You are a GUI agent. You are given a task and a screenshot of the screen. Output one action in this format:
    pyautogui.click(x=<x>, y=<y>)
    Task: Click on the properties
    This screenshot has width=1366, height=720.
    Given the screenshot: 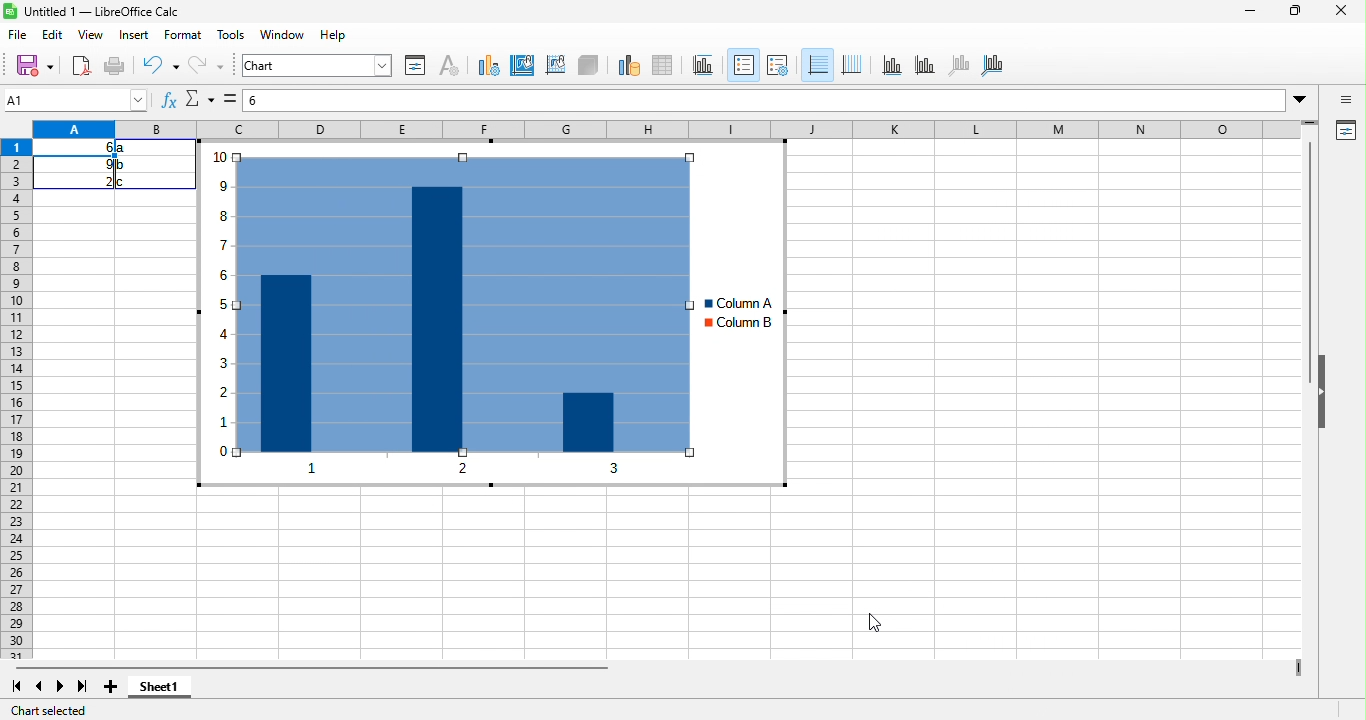 What is the action you would take?
    pyautogui.click(x=1346, y=131)
    